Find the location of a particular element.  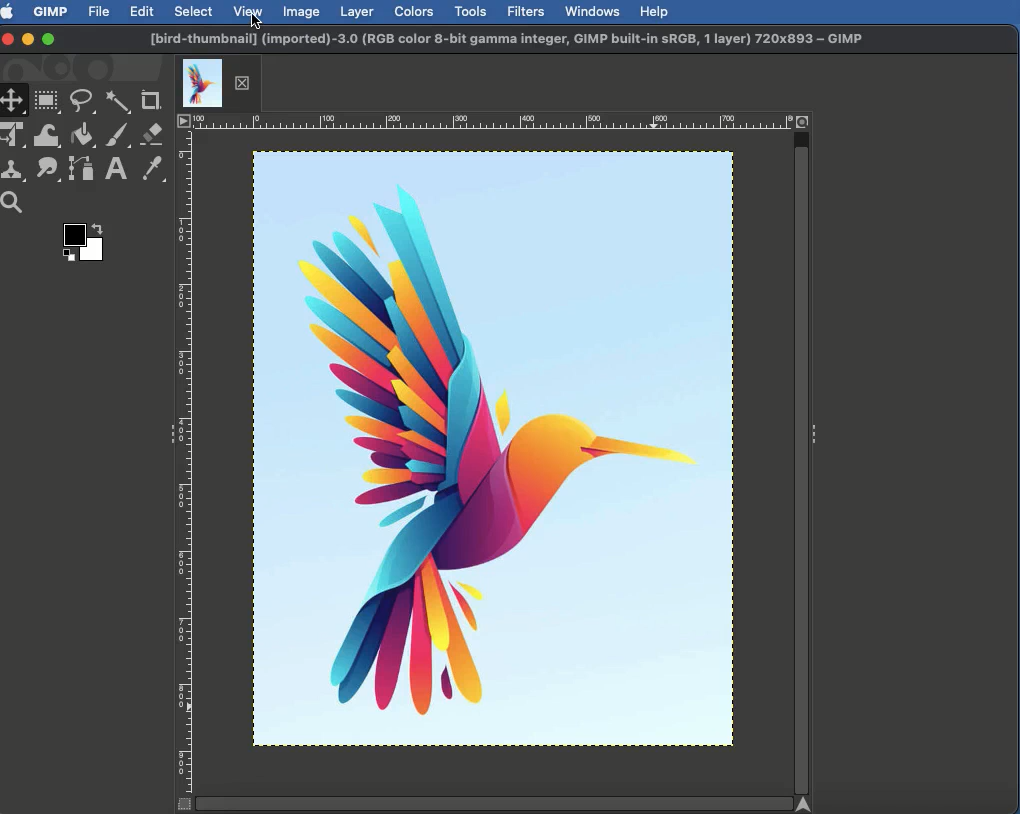

Paint is located at coordinates (116, 137).